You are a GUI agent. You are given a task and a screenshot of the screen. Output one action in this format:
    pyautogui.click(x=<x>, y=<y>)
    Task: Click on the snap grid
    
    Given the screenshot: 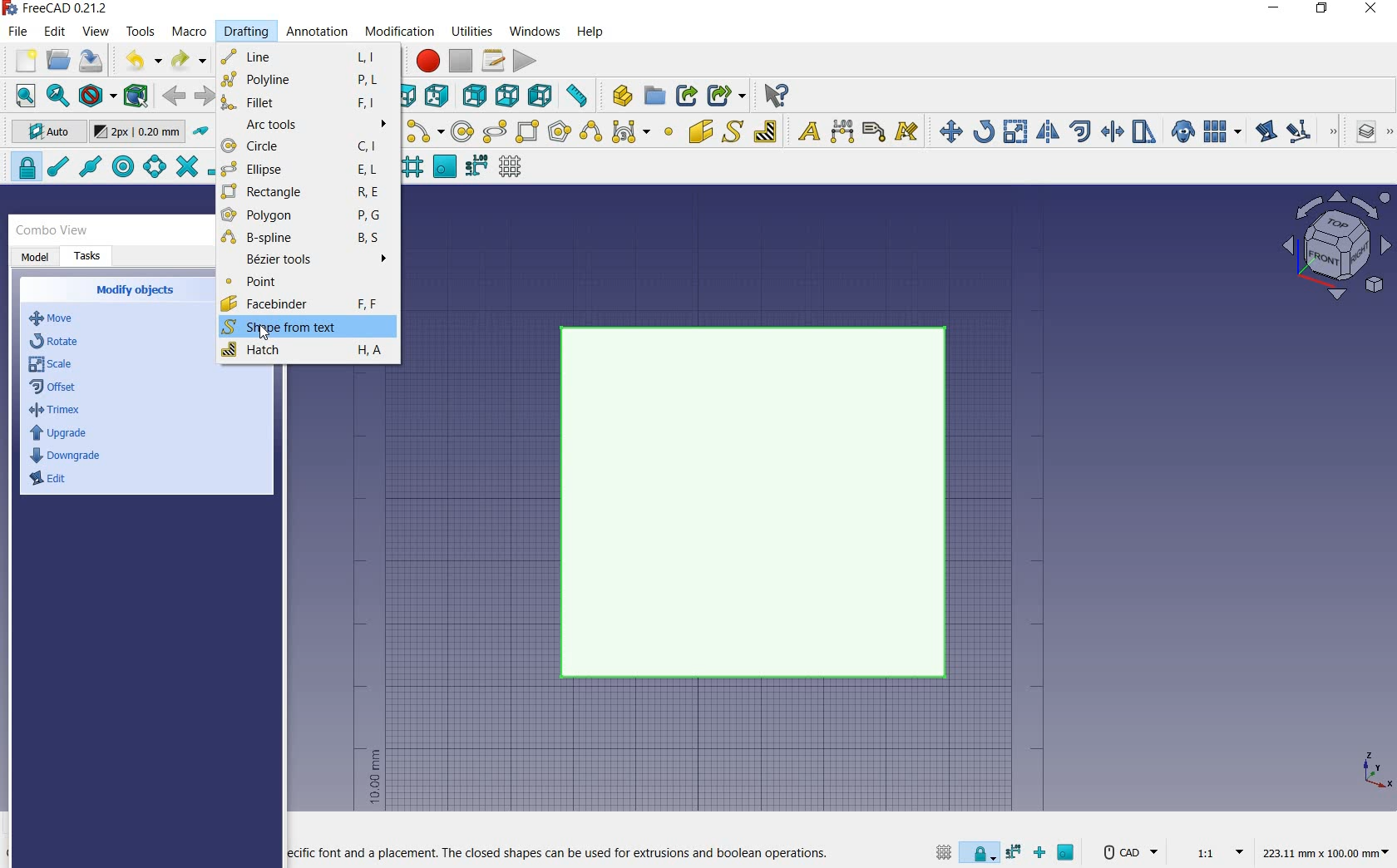 What is the action you would take?
    pyautogui.click(x=411, y=169)
    